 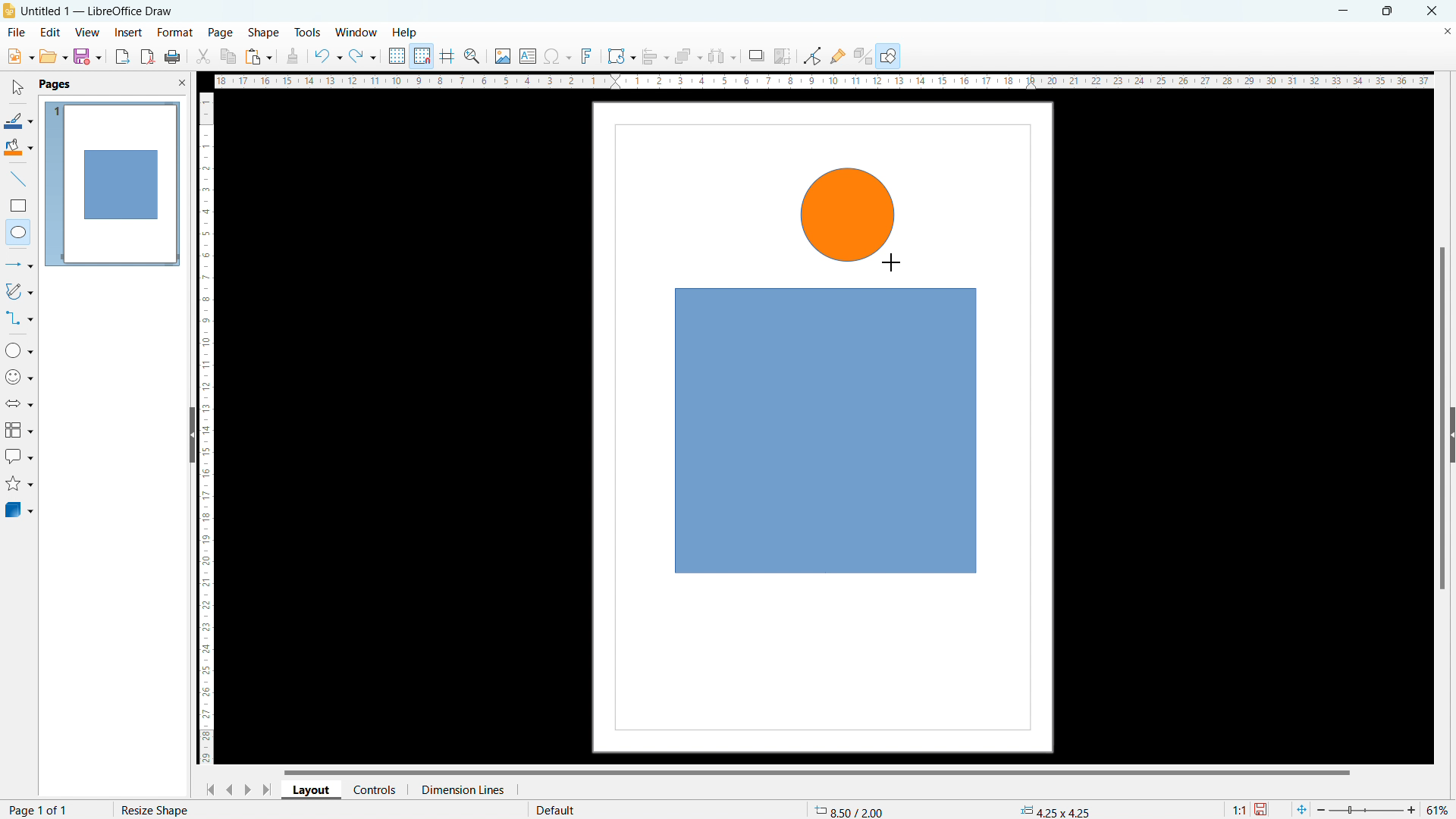 What do you see at coordinates (849, 215) in the screenshot?
I see `shape being drawn` at bounding box center [849, 215].